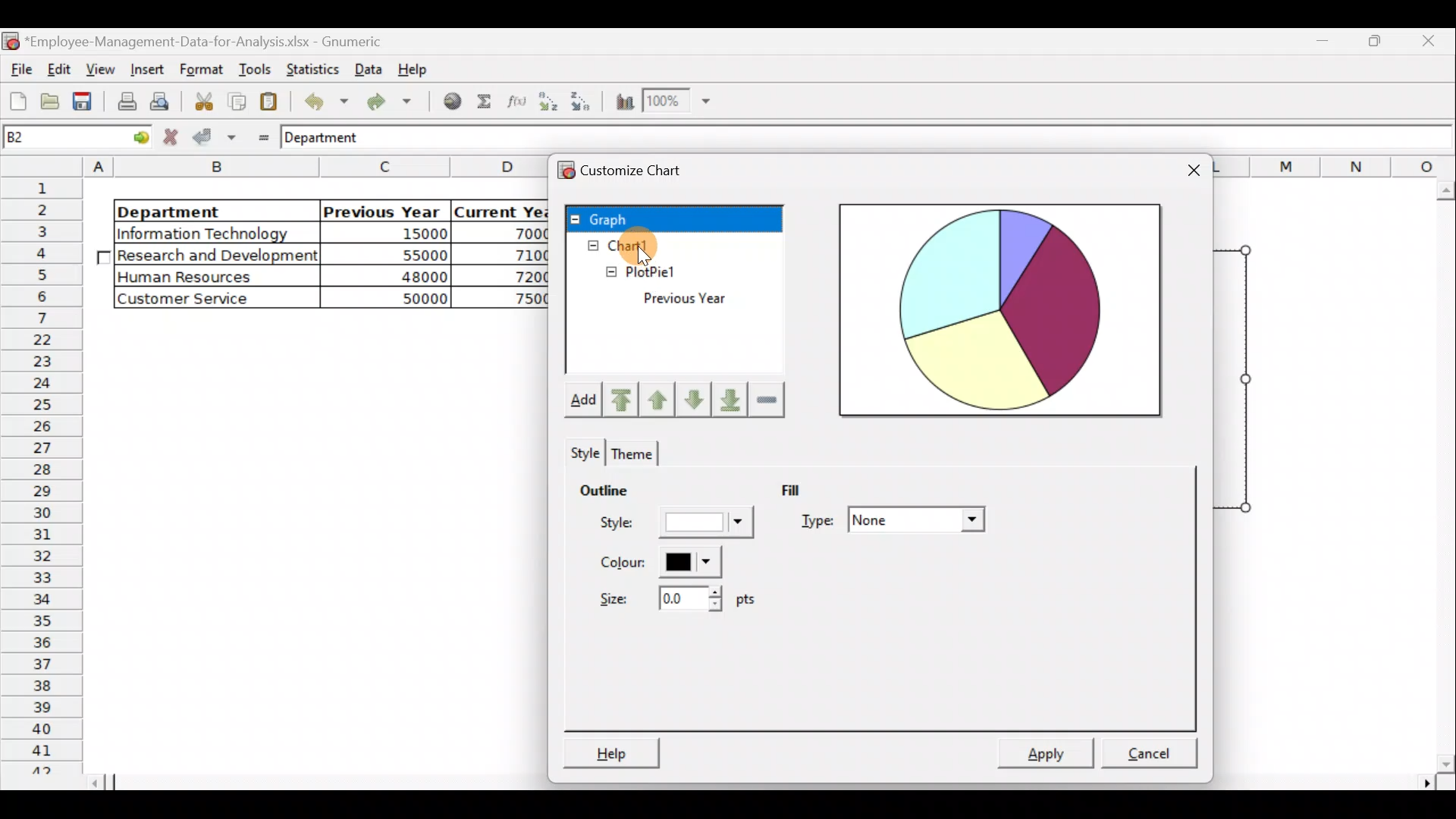 The image size is (1456, 819). Describe the element at coordinates (485, 100) in the screenshot. I see `Sum into the current cell` at that location.